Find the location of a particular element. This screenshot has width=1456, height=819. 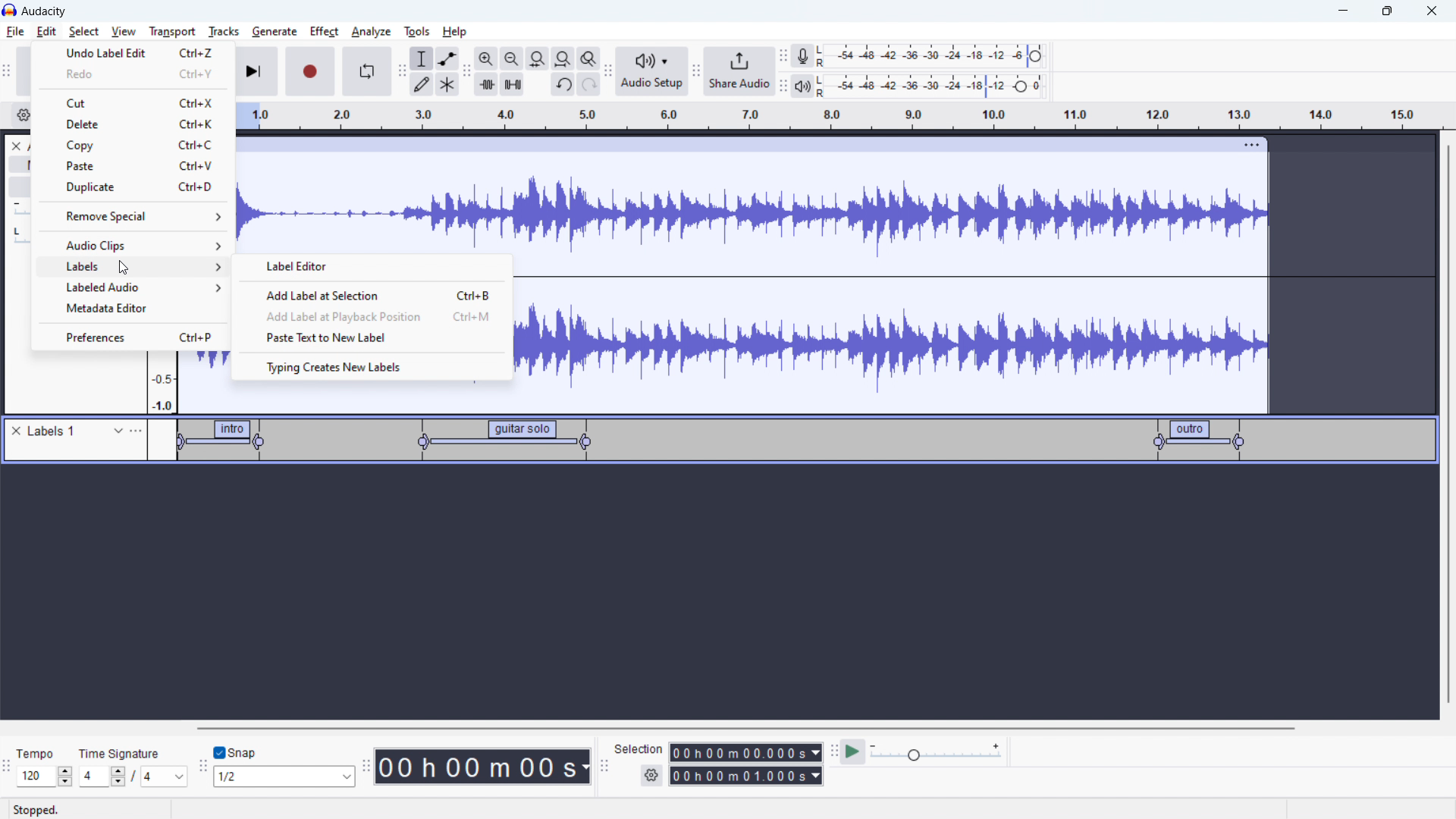

file is located at coordinates (16, 32).